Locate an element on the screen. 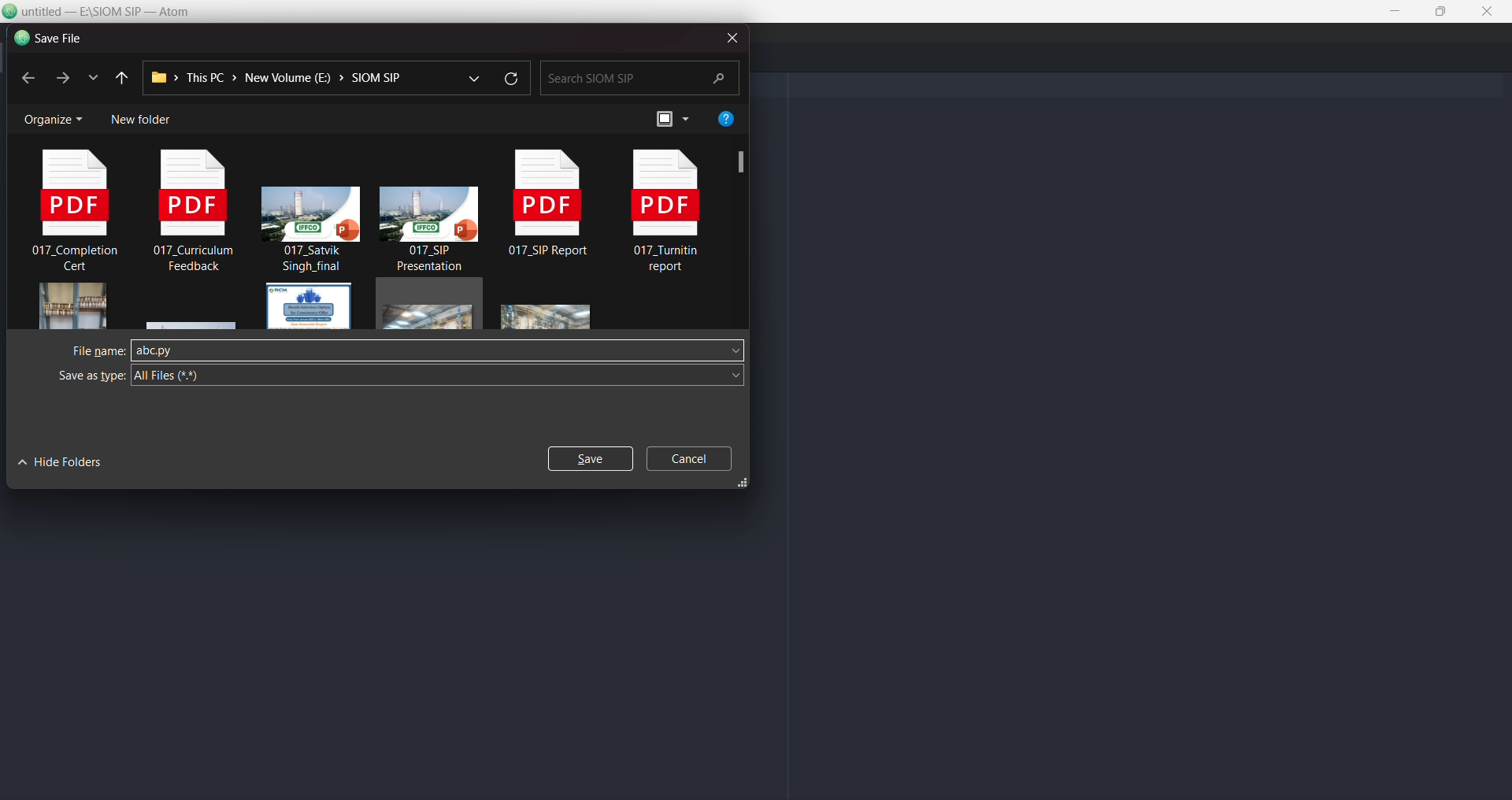  save as type is located at coordinates (87, 376).